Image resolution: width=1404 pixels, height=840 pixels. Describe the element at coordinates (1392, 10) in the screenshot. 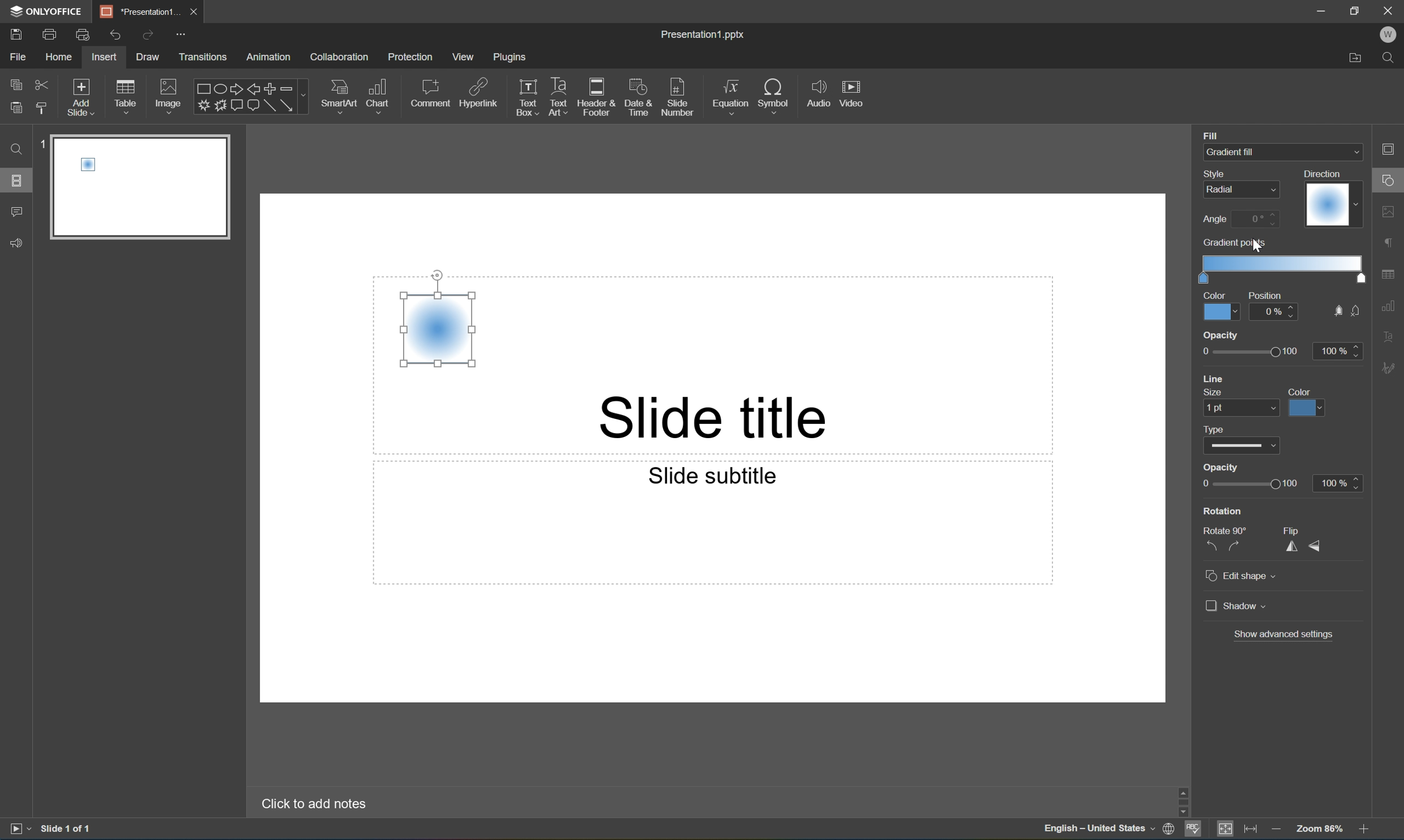

I see `Close` at that location.